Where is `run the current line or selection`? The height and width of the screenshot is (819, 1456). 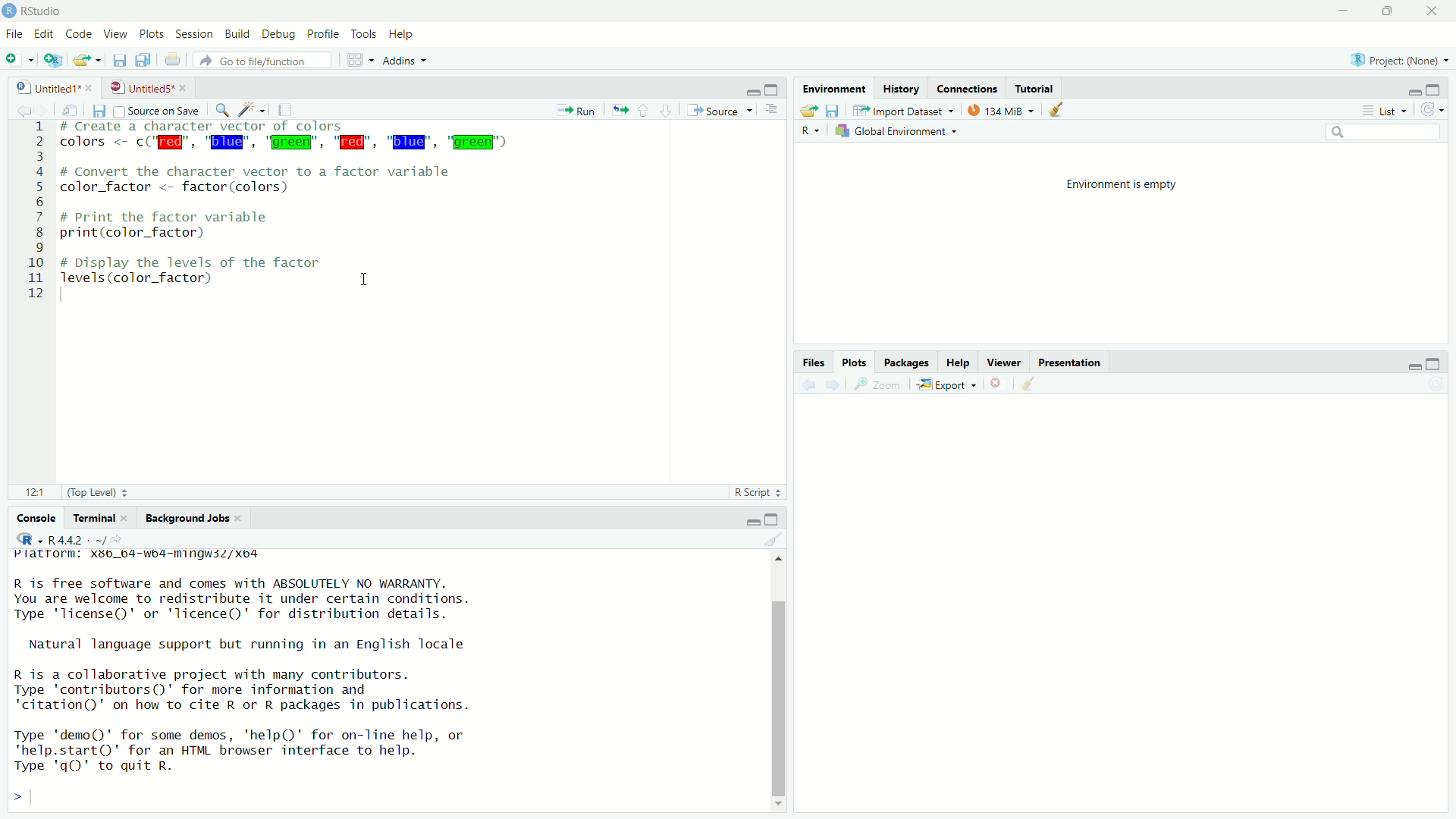 run the current line or selection is located at coordinates (576, 110).